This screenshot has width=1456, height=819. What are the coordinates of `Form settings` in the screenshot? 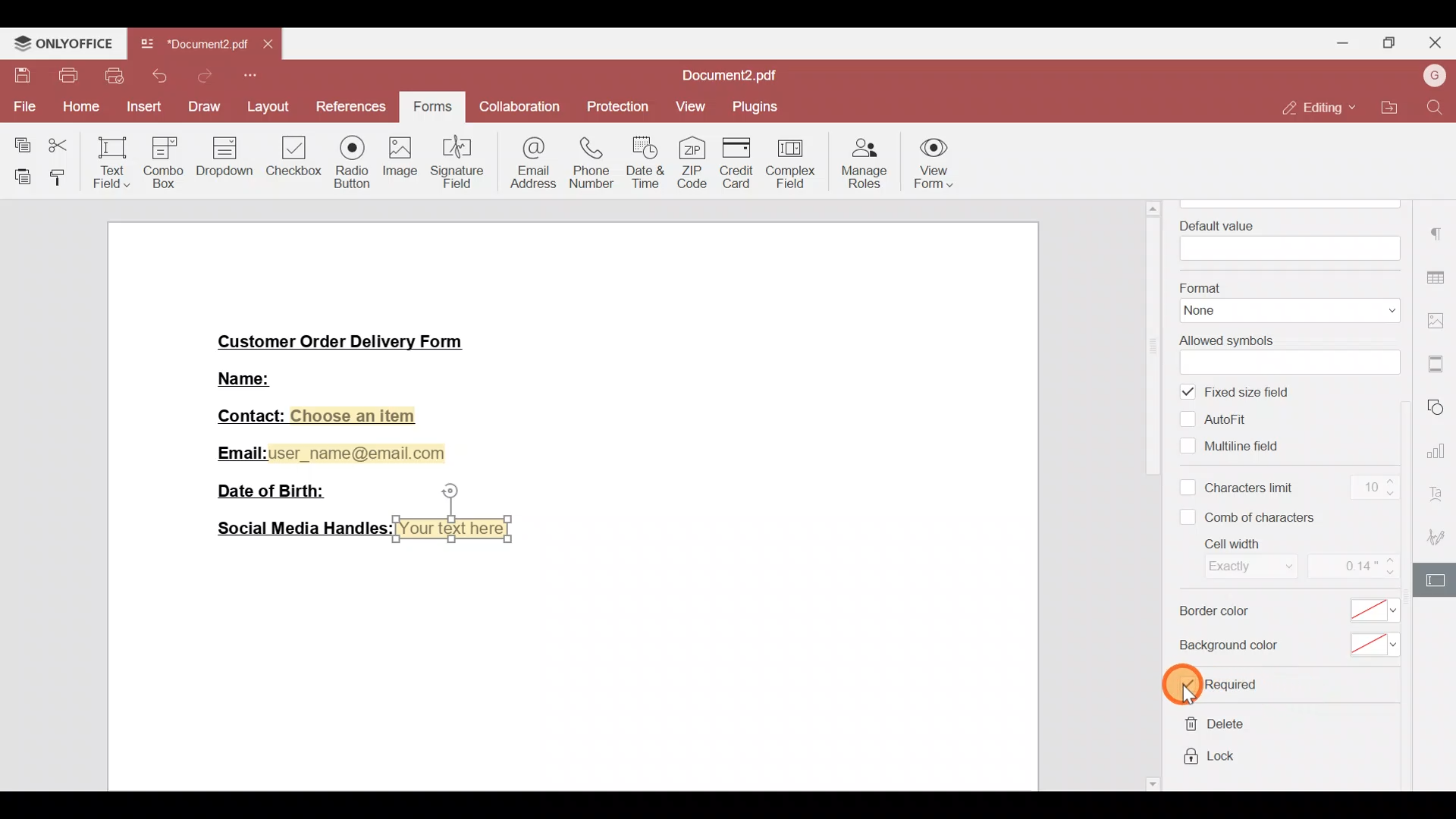 It's located at (1438, 579).